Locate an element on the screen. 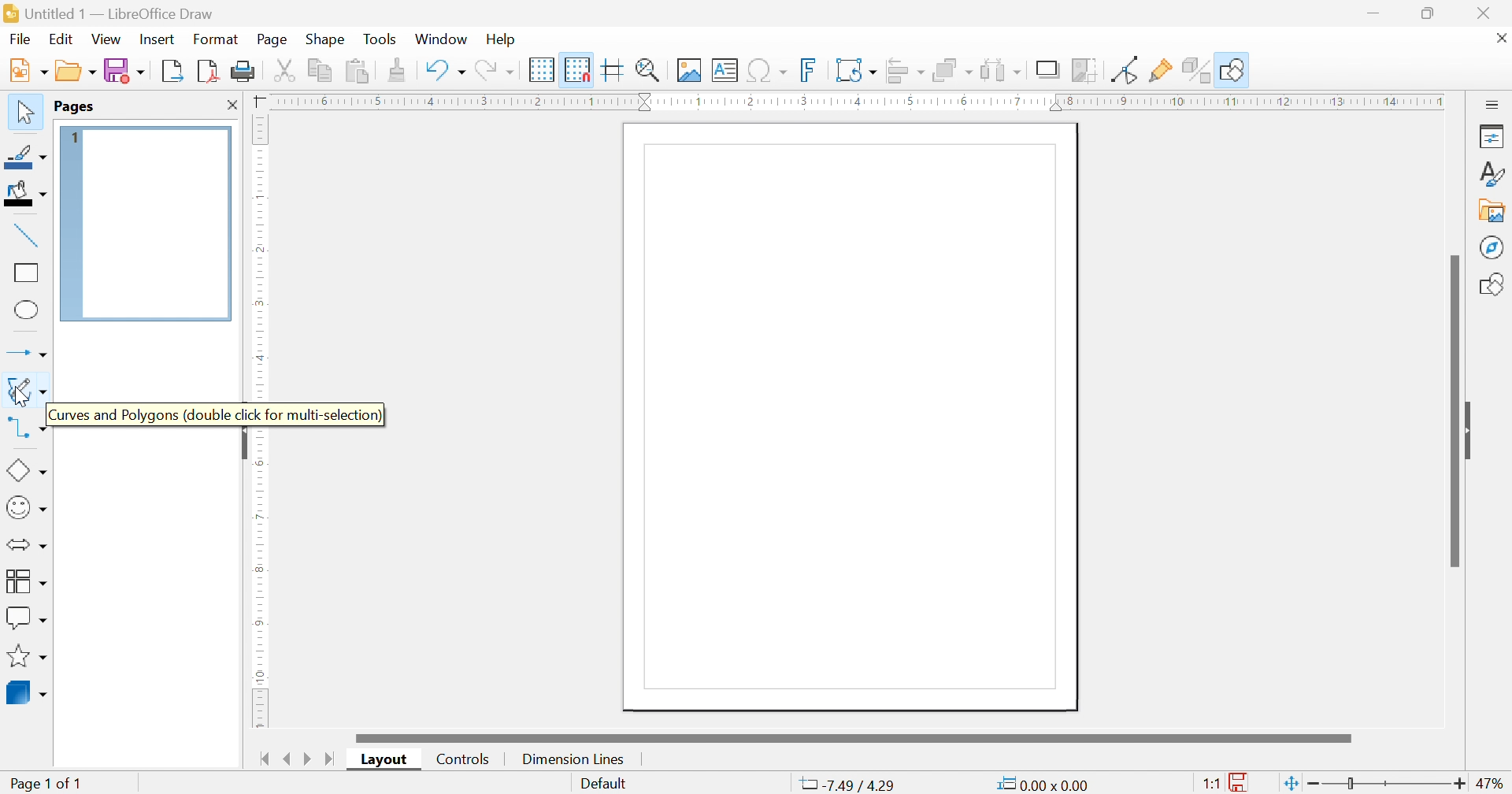 This screenshot has height=794, width=1512. dimension lines is located at coordinates (572, 759).